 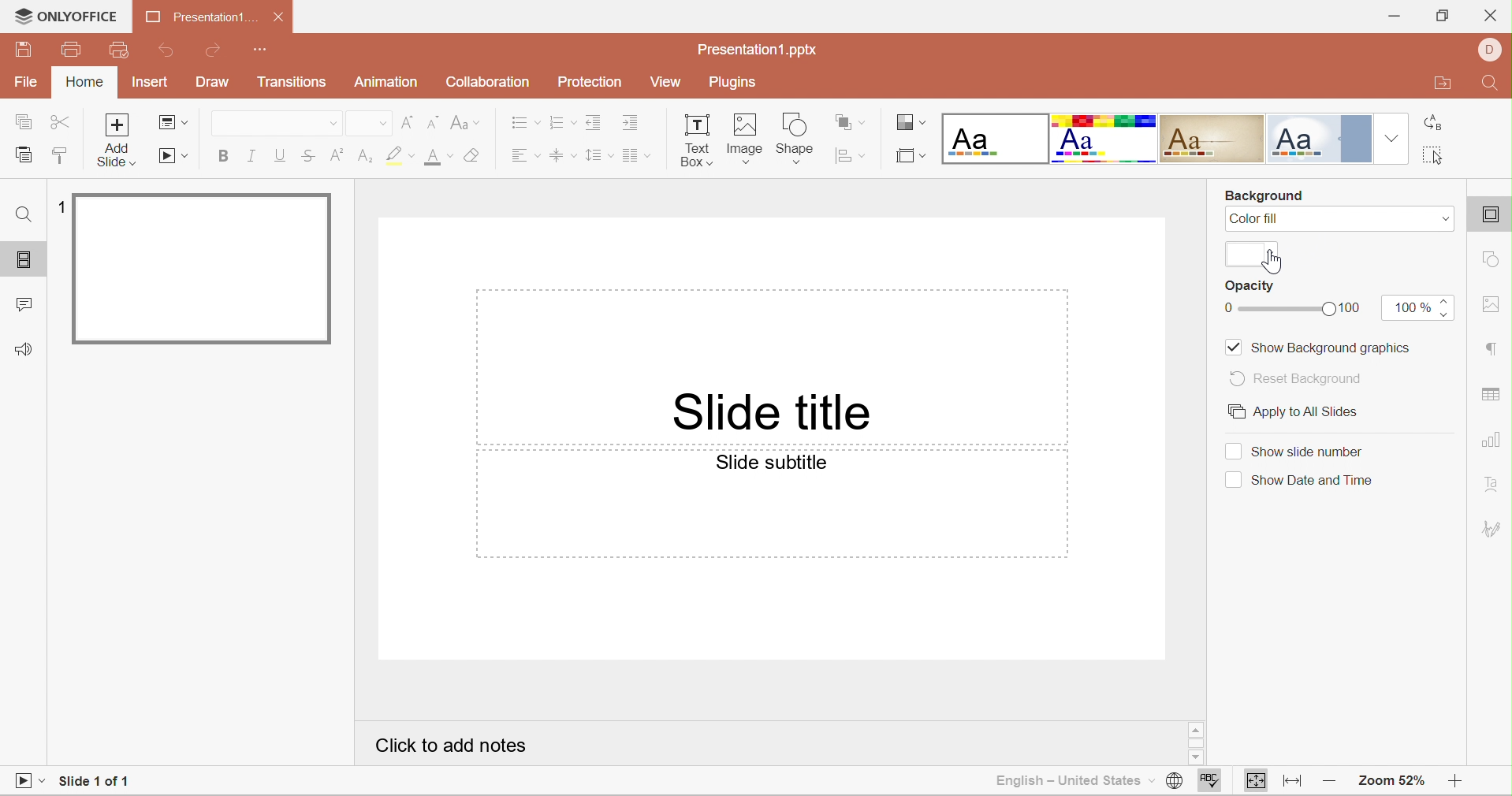 I want to click on Minimize, so click(x=1394, y=17).